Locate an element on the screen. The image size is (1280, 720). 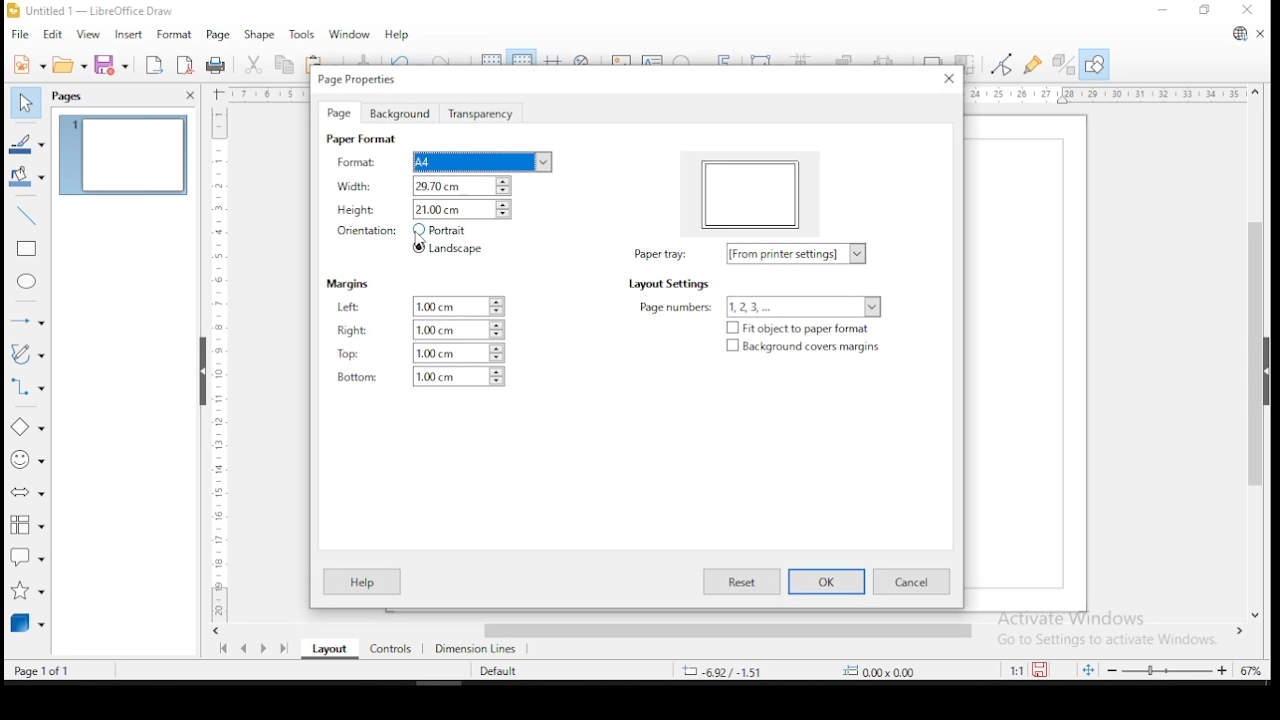
arrange is located at coordinates (848, 58).